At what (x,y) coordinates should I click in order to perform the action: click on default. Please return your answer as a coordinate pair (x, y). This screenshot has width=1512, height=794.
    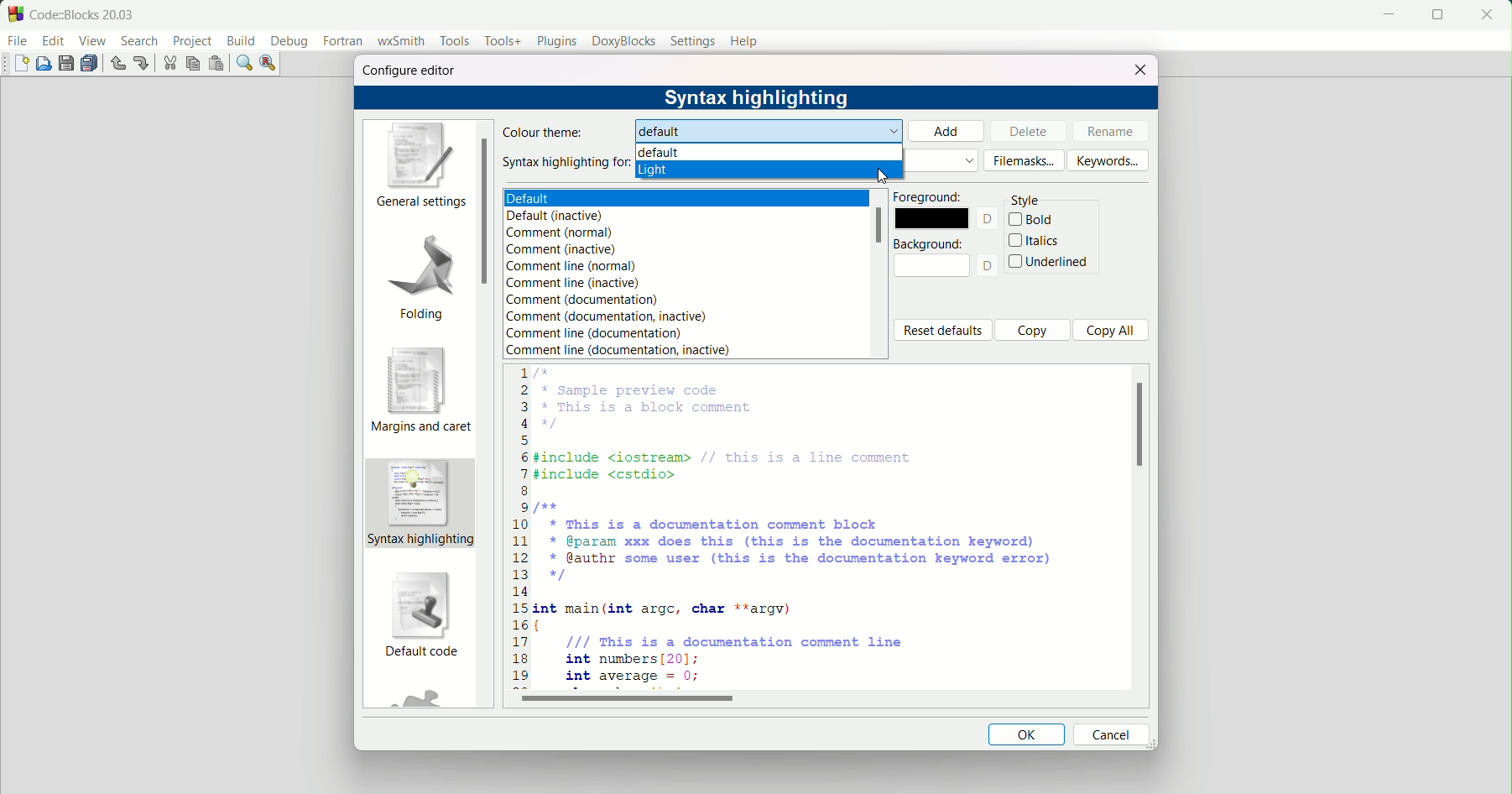
    Looking at the image, I should click on (769, 152).